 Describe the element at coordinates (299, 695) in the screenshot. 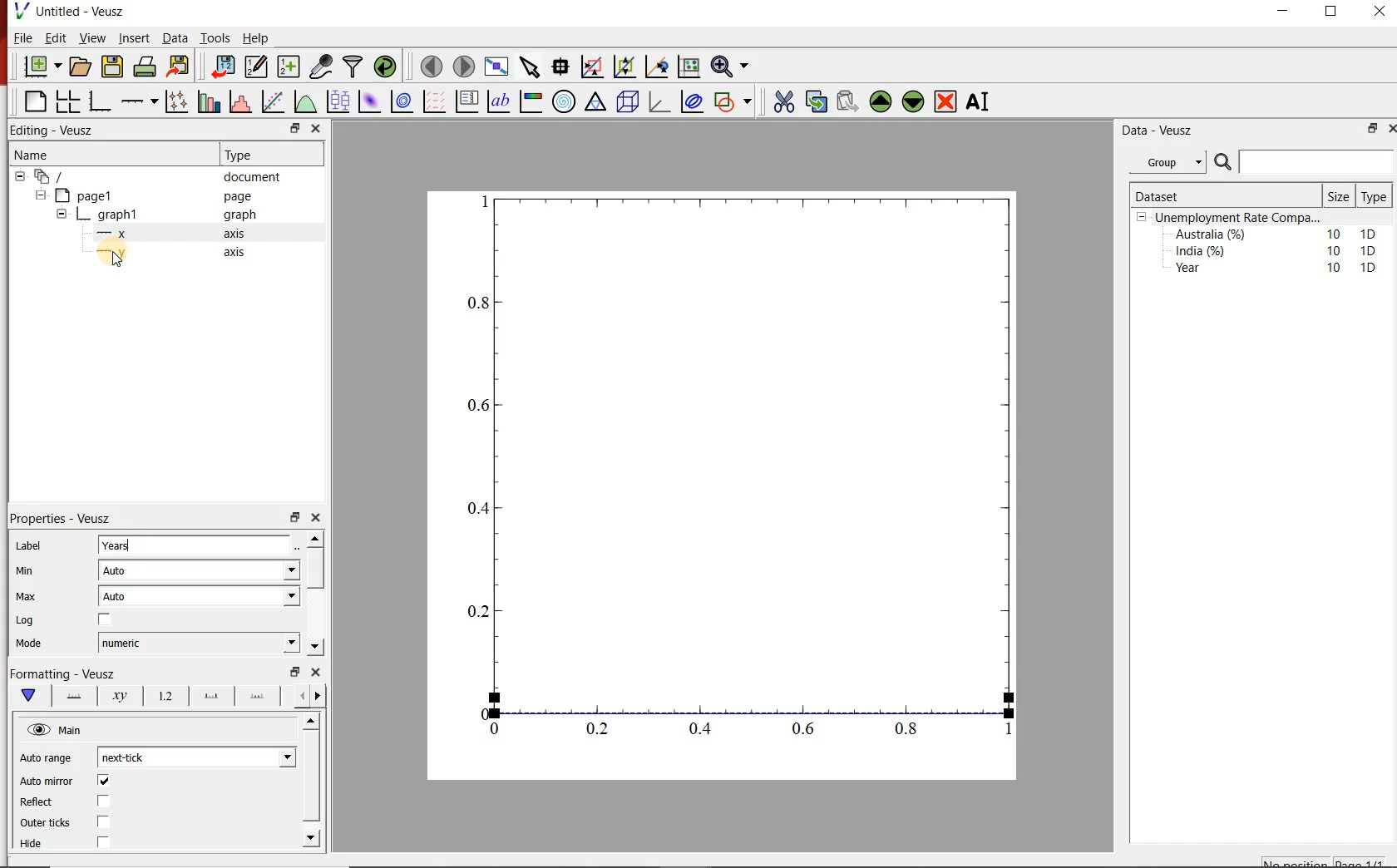

I see `more left` at that location.